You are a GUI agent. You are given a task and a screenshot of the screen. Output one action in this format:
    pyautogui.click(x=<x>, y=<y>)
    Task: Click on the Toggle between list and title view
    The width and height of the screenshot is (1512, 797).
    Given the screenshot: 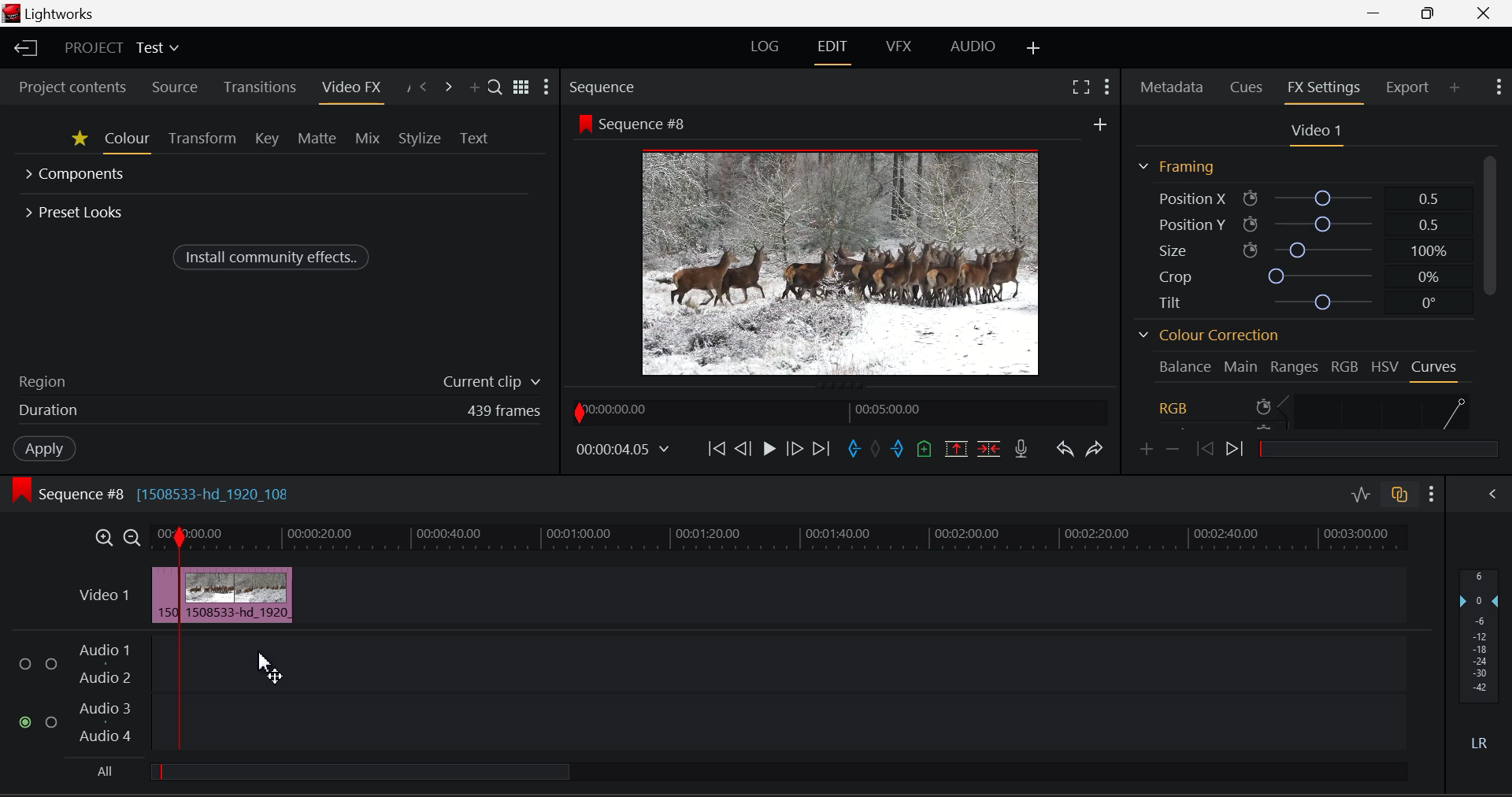 What is the action you would take?
    pyautogui.click(x=521, y=87)
    